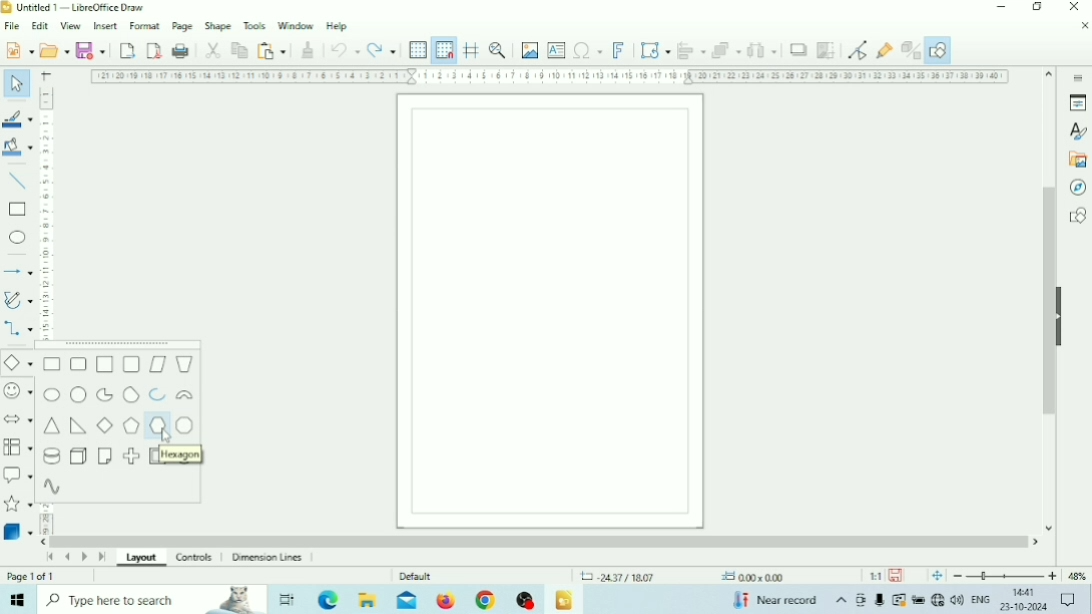 The height and width of the screenshot is (614, 1092). Describe the element at coordinates (102, 557) in the screenshot. I see `Scroll to last page` at that location.